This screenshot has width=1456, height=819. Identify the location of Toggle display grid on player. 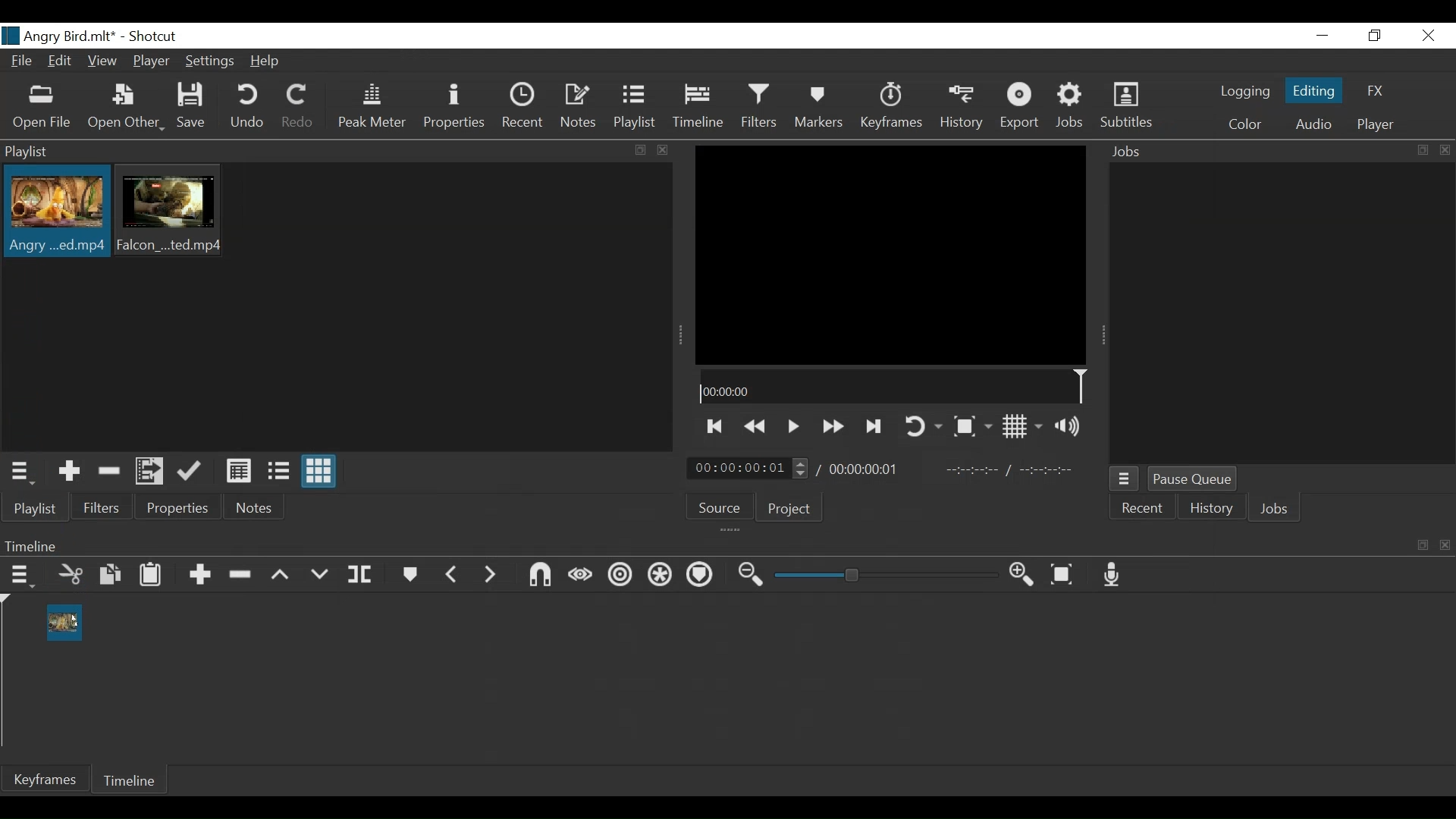
(1026, 426).